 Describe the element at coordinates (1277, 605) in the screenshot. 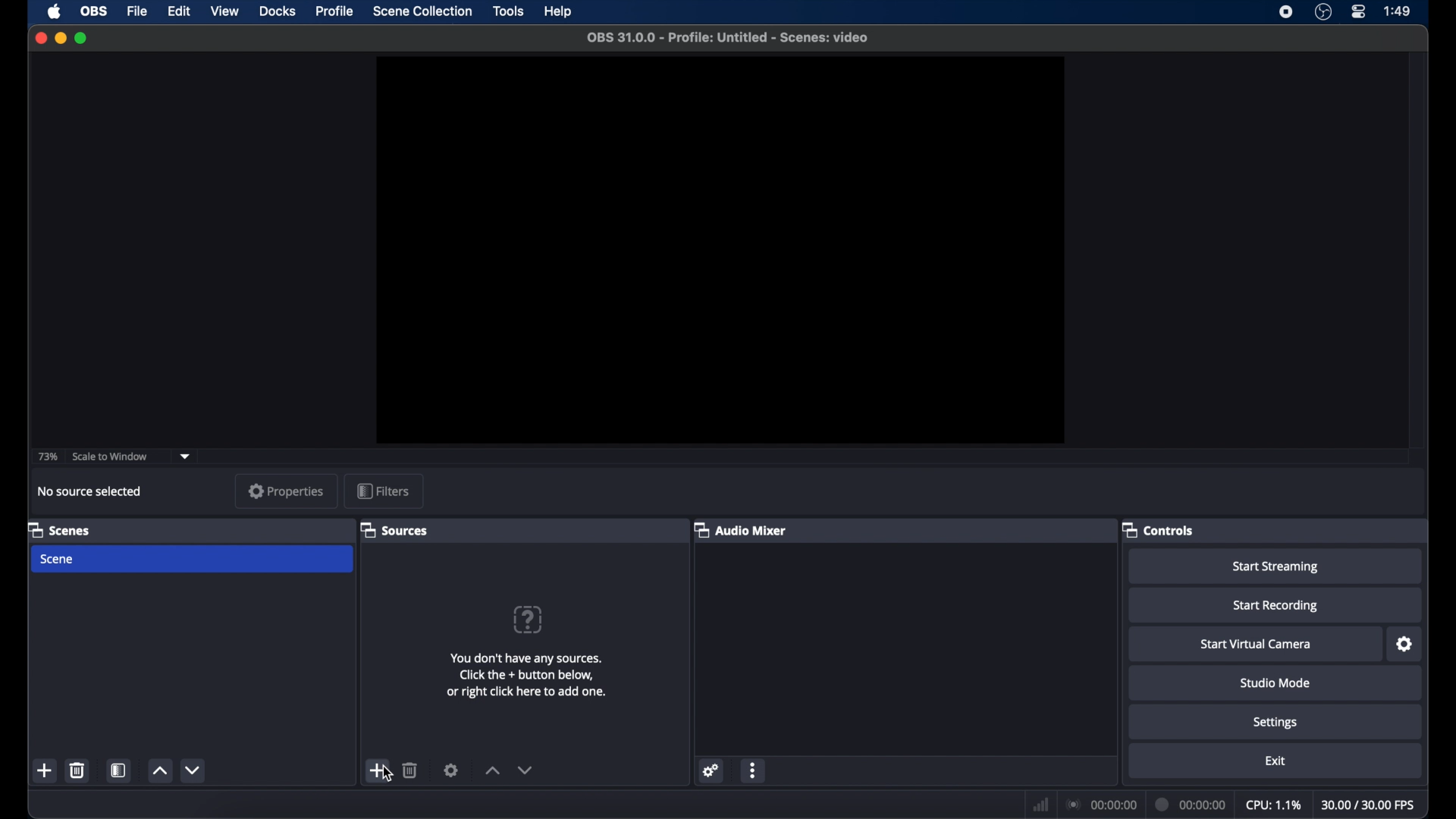

I see `start recording` at that location.